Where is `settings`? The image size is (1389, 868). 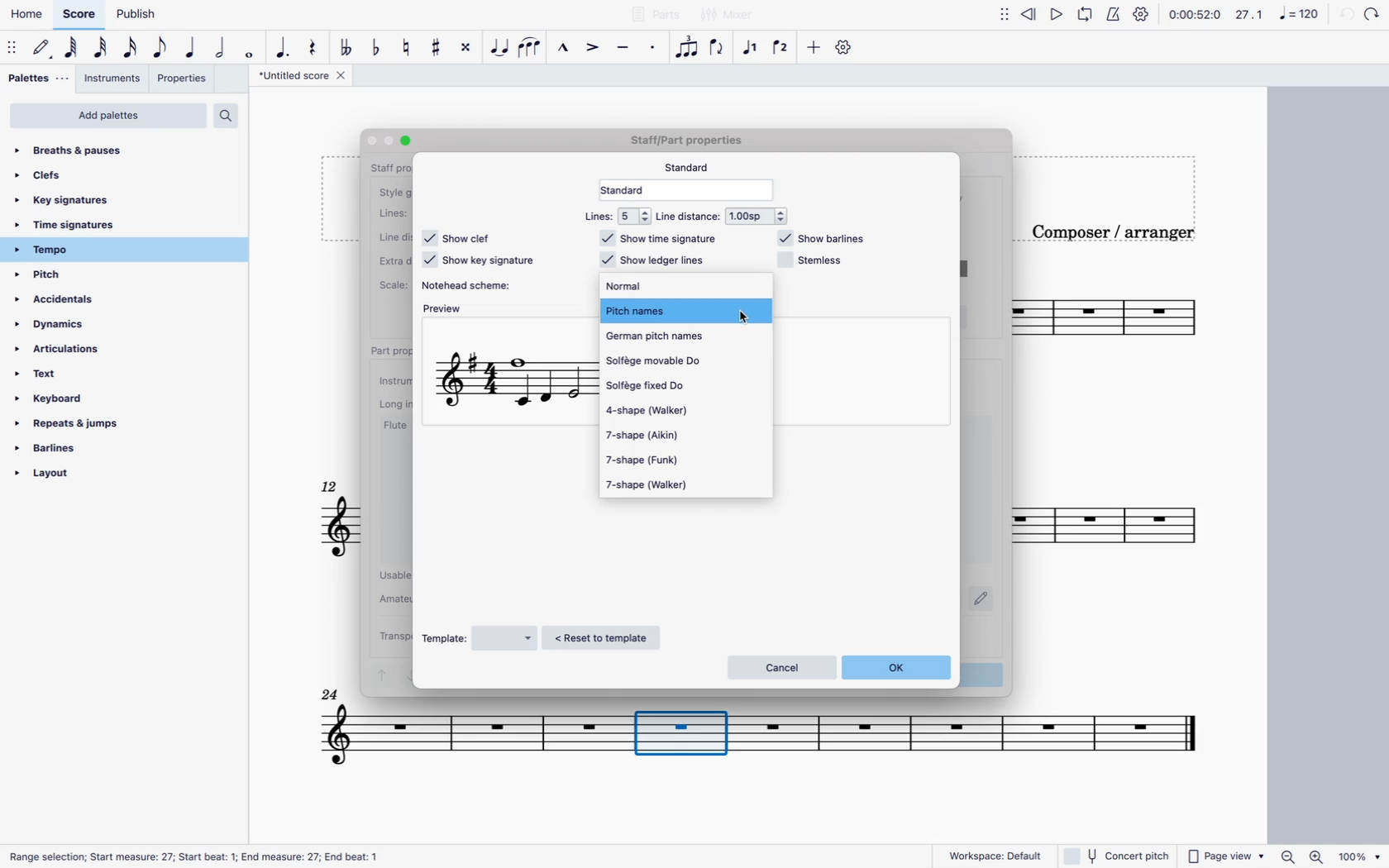
settings is located at coordinates (1143, 16).